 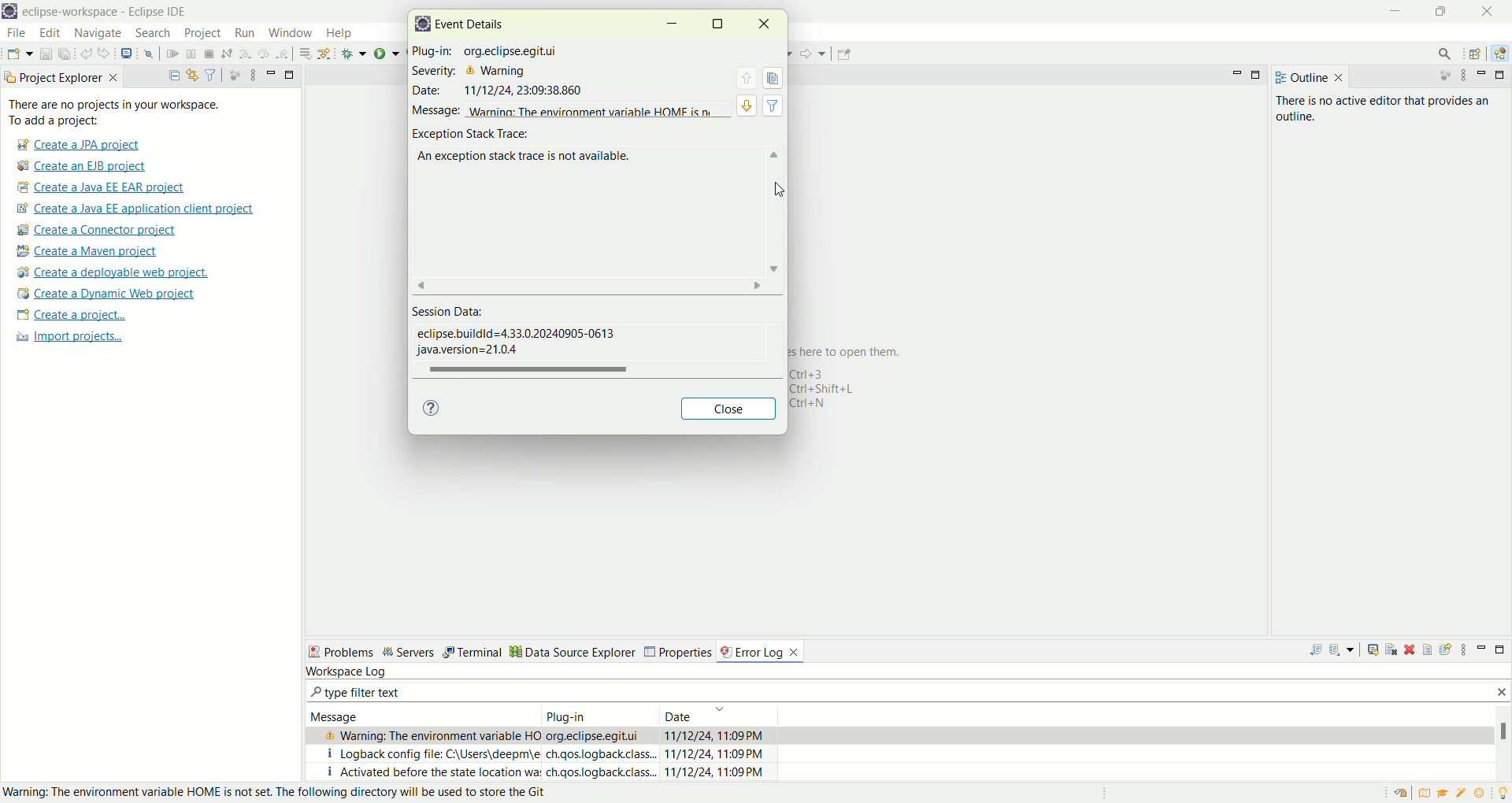 I want to click on step return, so click(x=283, y=54).